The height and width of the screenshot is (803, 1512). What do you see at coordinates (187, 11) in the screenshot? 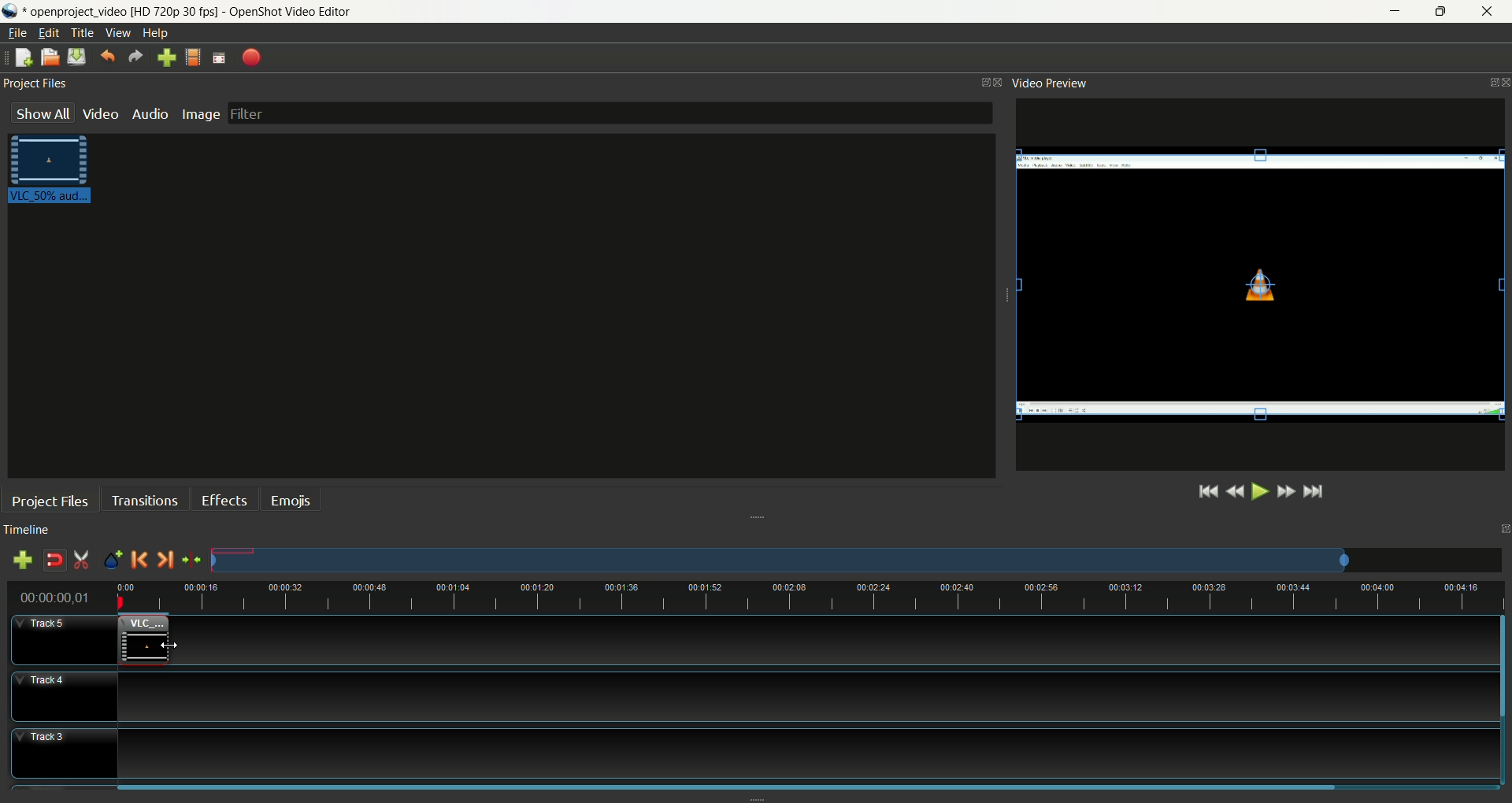
I see `file name` at bounding box center [187, 11].